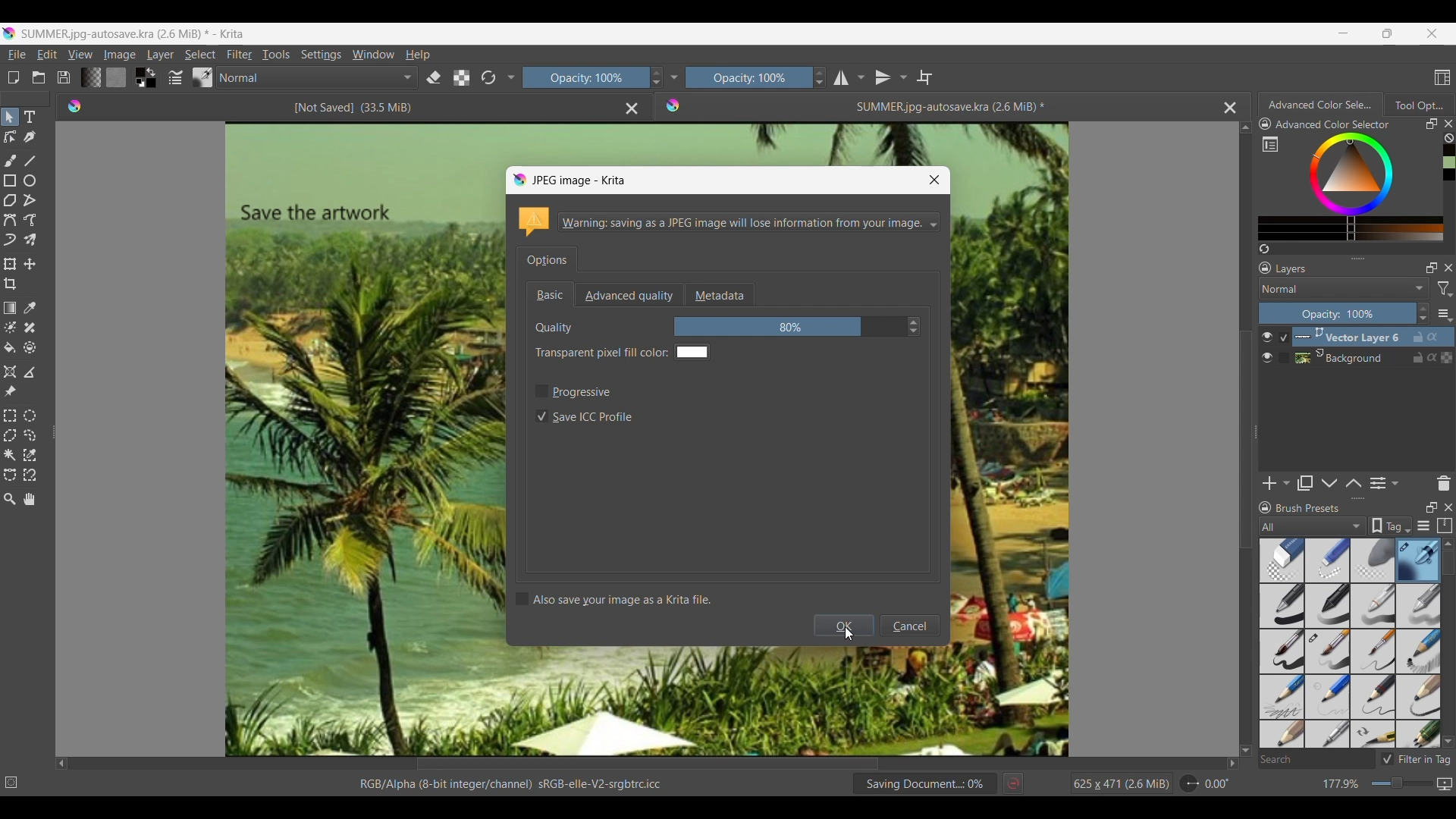  Describe the element at coordinates (488, 78) in the screenshot. I see `Reset to original preset` at that location.